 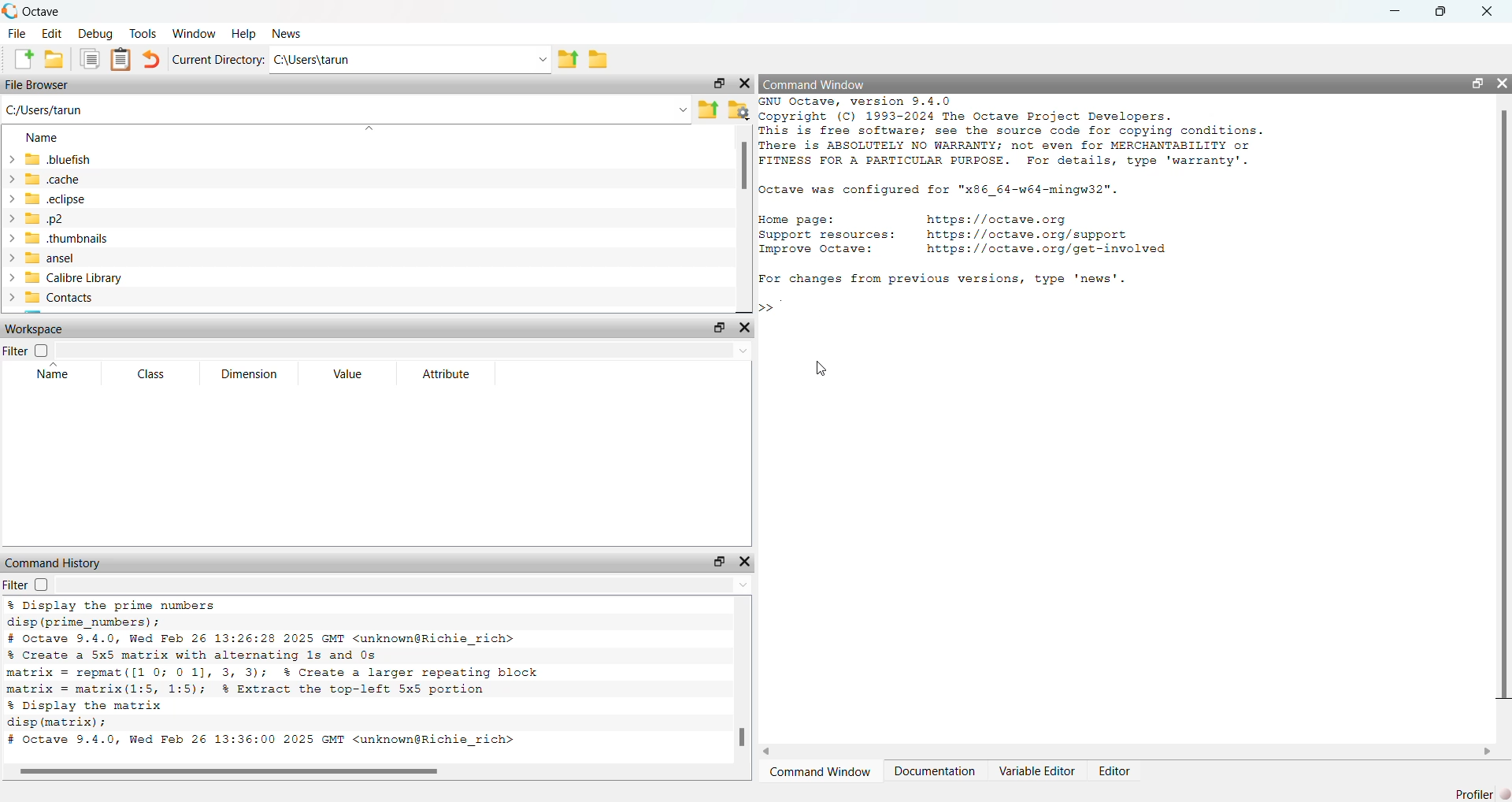 What do you see at coordinates (218, 60) in the screenshot?
I see `current directory` at bounding box center [218, 60].